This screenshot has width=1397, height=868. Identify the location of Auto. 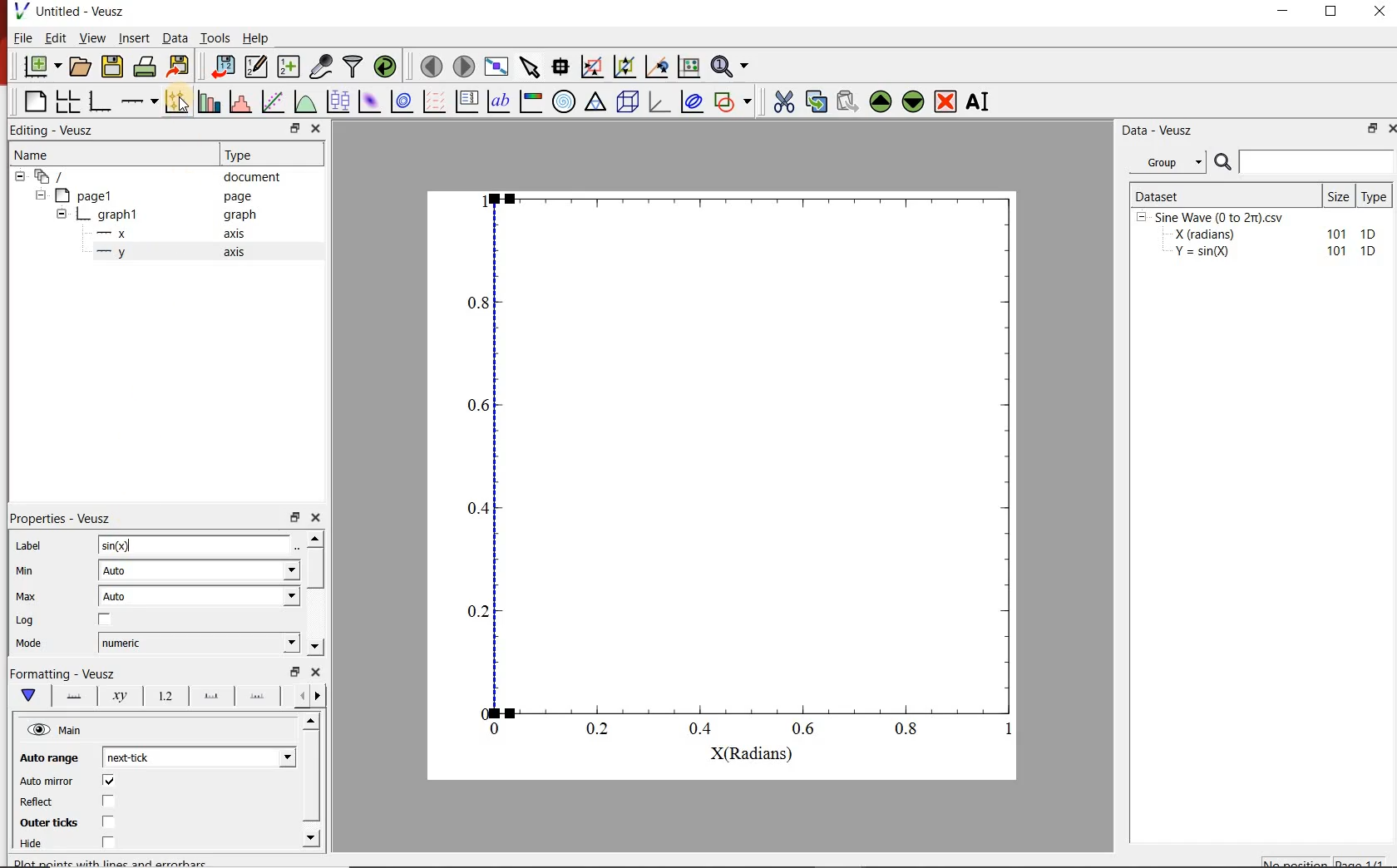
(199, 596).